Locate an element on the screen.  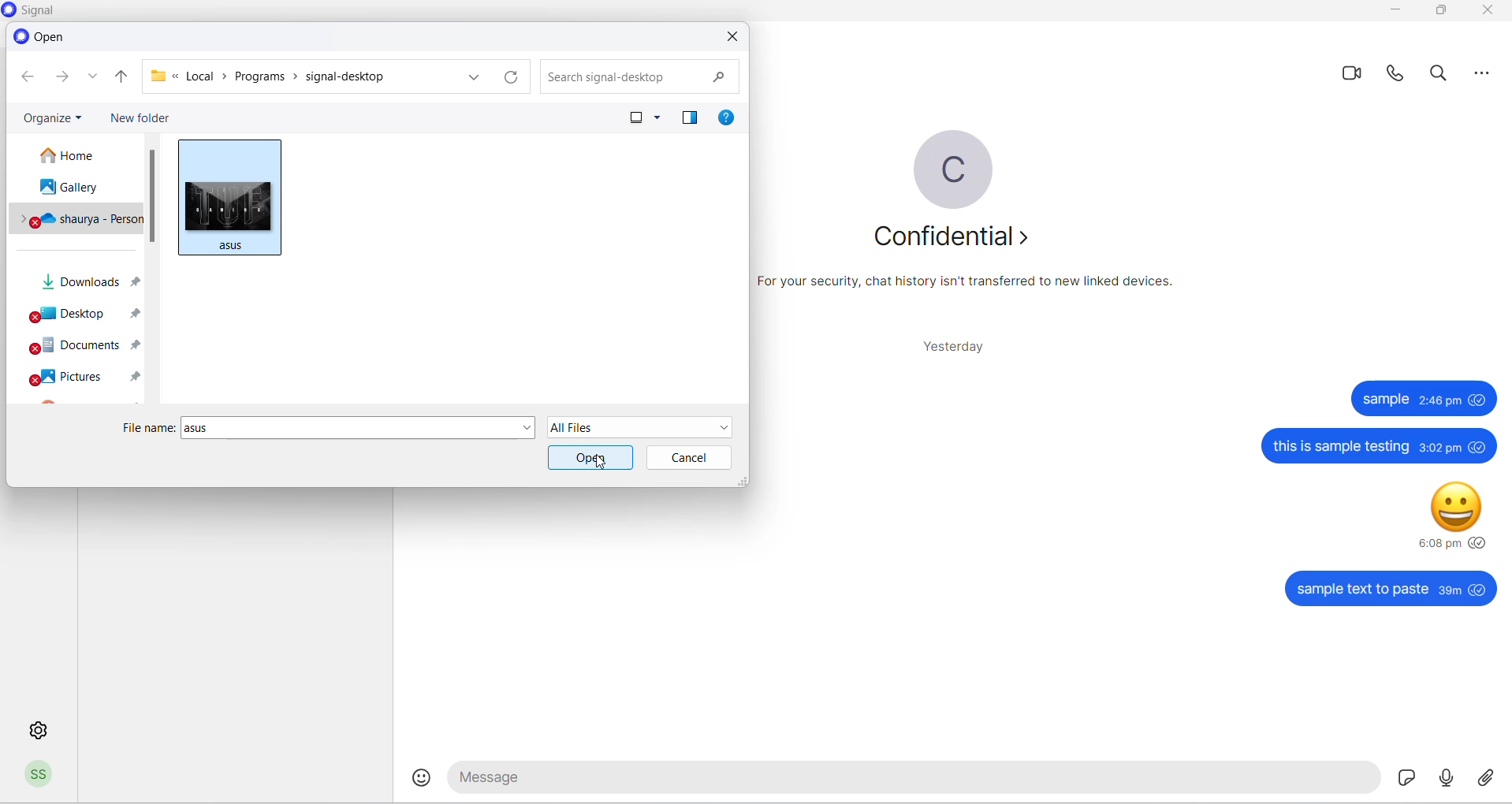
desktops is located at coordinates (80, 317).